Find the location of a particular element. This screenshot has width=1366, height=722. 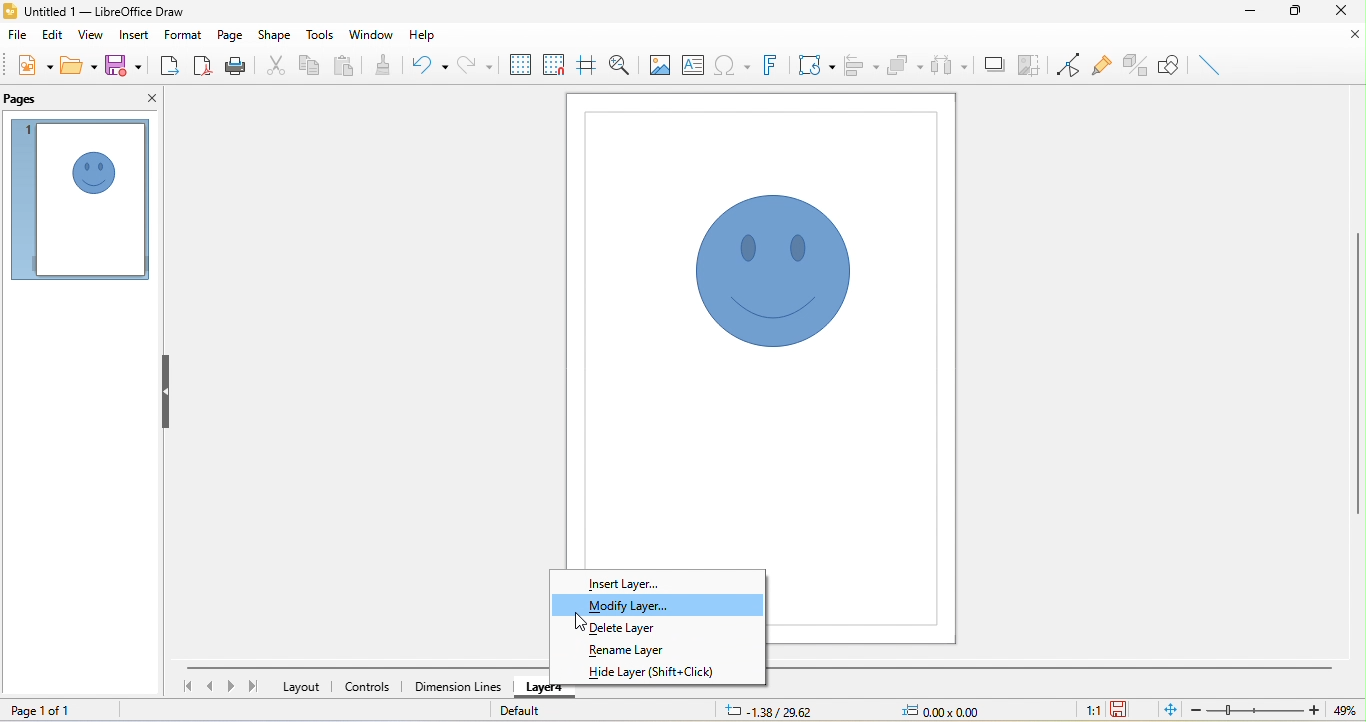

dimension lines is located at coordinates (457, 685).